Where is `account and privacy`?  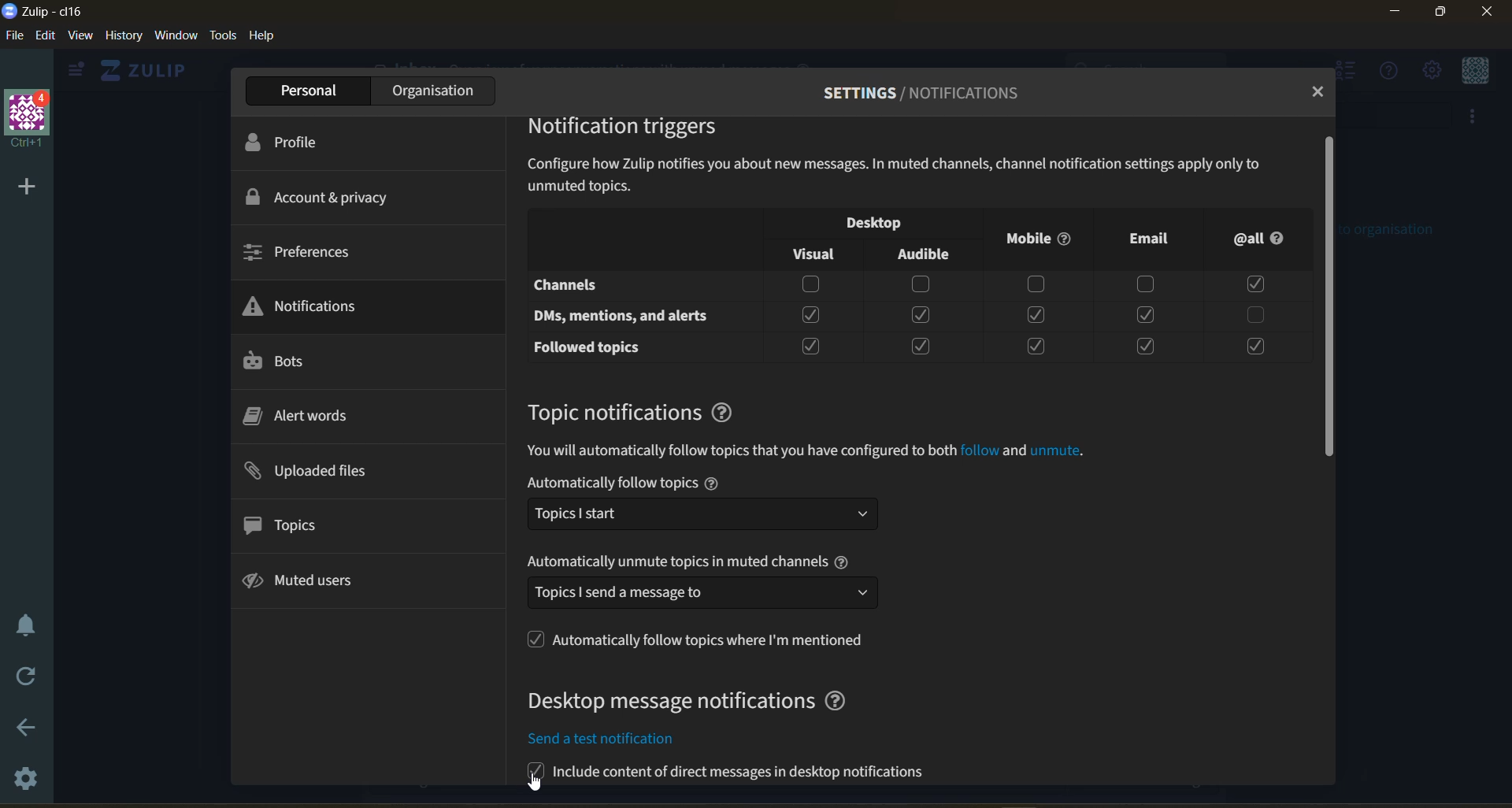 account and privacy is located at coordinates (329, 198).